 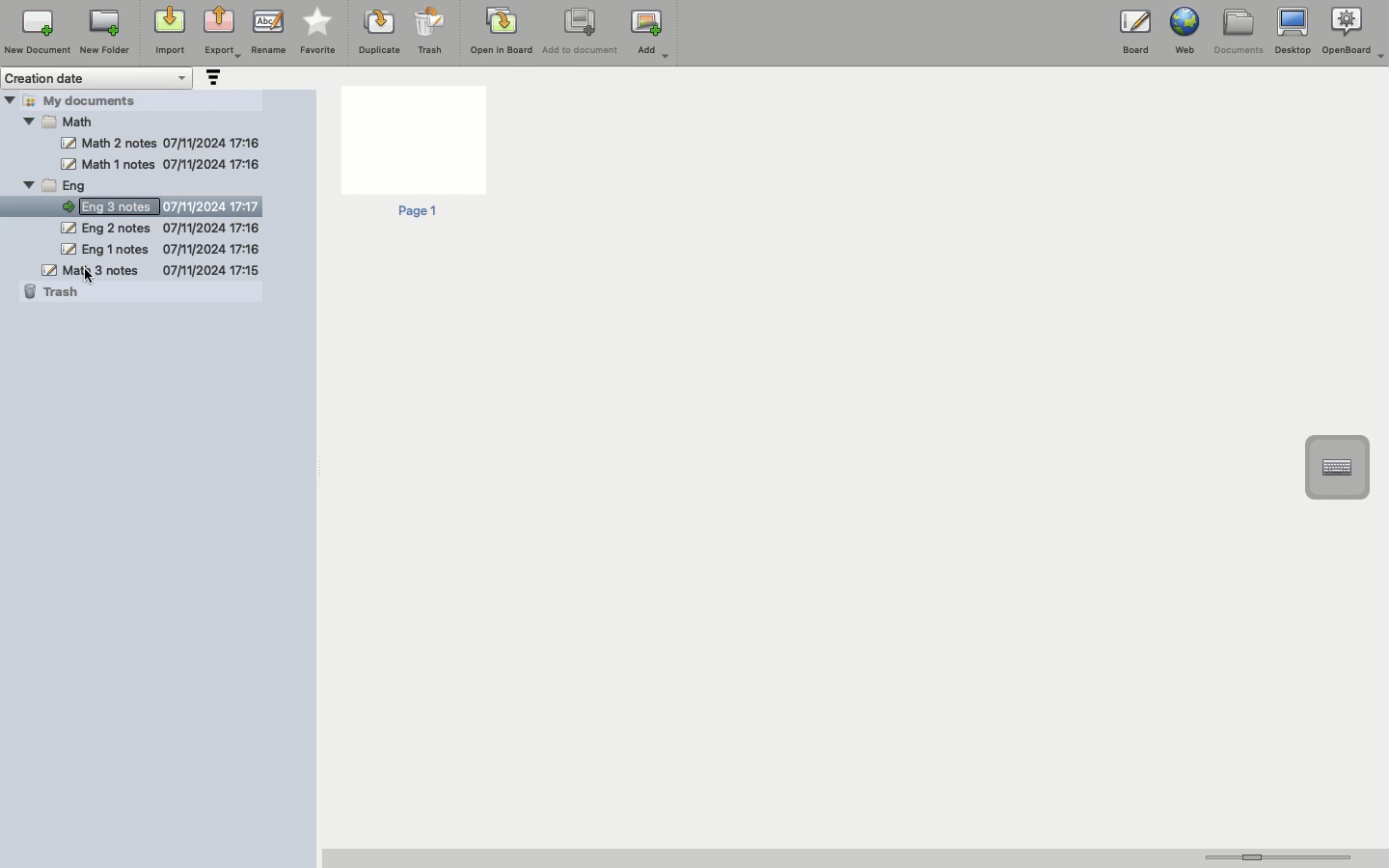 I want to click on New document, so click(x=38, y=32).